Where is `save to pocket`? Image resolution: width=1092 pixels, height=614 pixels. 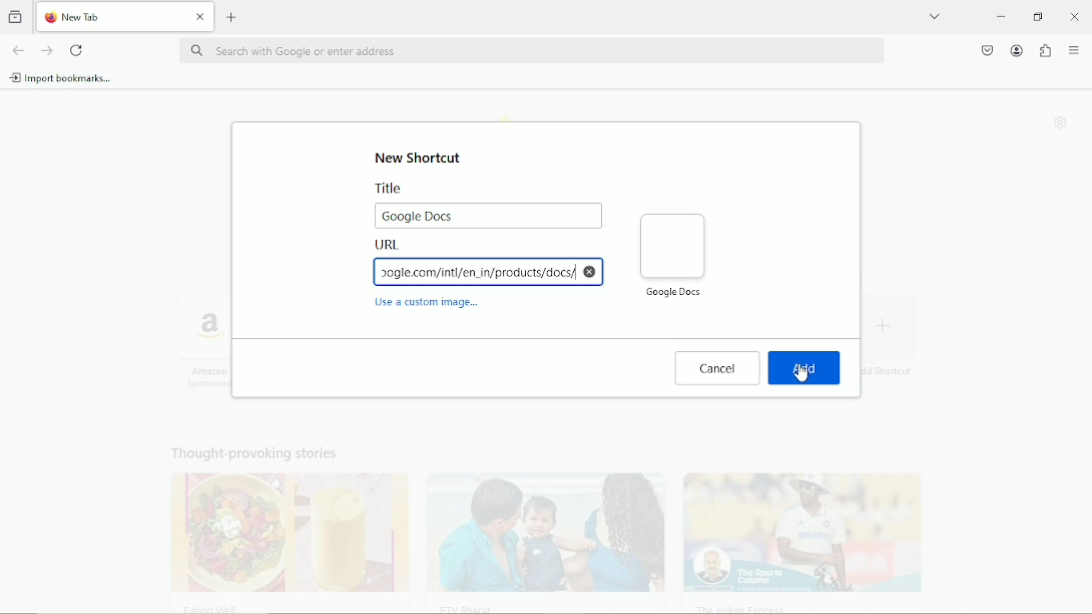
save to pocket is located at coordinates (986, 49).